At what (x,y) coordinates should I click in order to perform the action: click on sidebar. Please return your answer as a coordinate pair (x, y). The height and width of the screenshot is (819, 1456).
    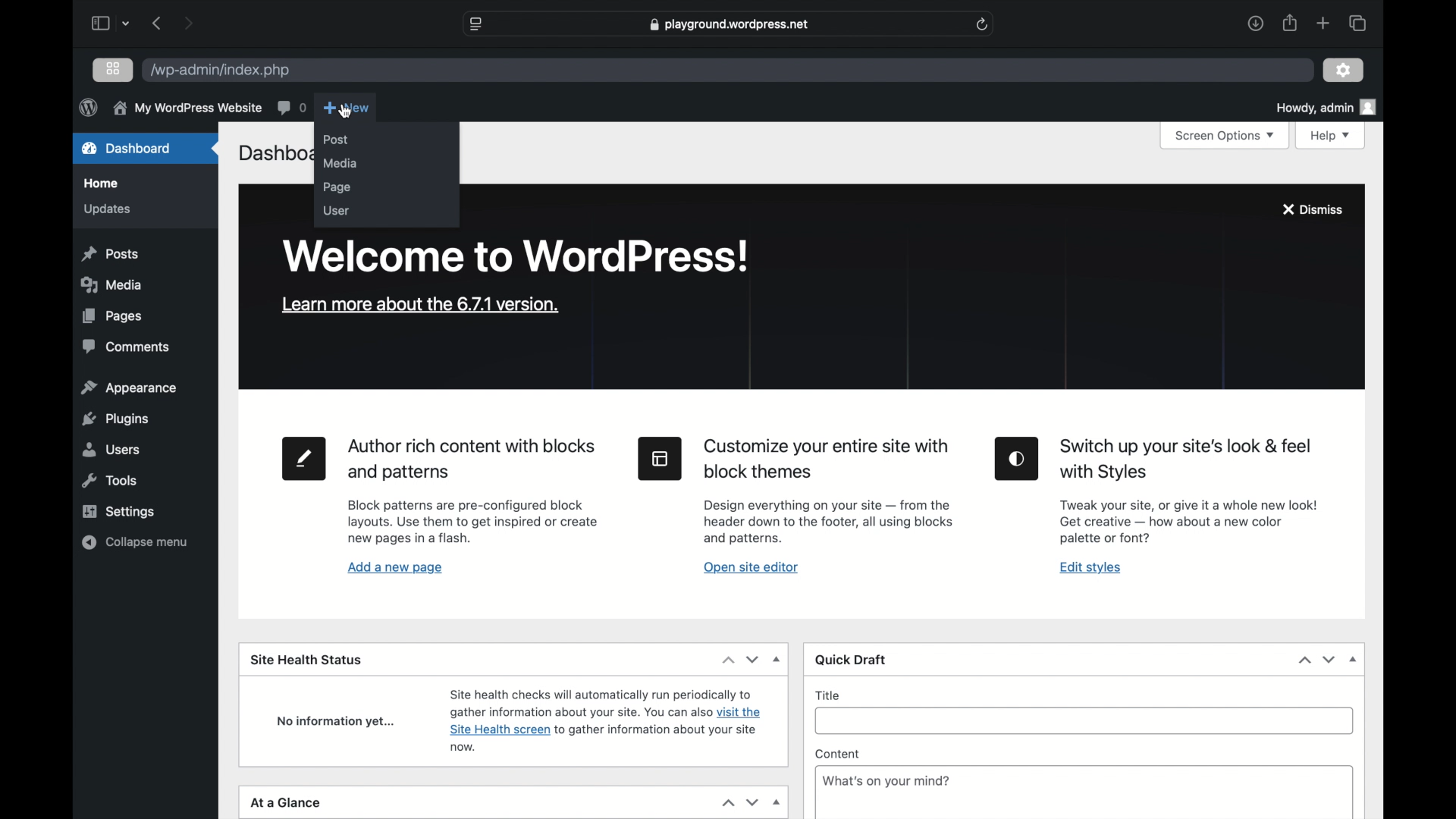
    Looking at the image, I should click on (99, 23).